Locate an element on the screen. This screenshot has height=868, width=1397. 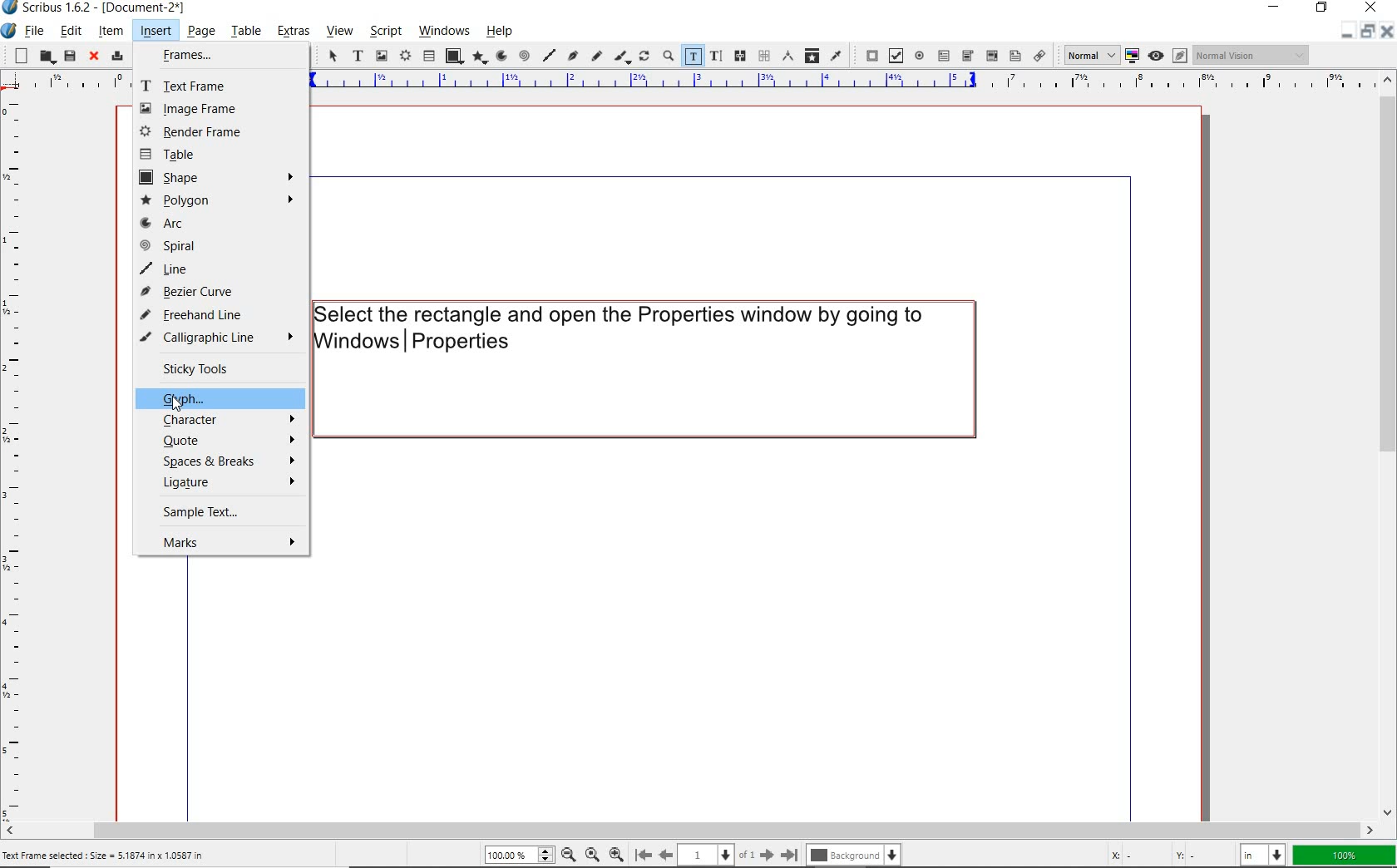
marks is located at coordinates (223, 540).